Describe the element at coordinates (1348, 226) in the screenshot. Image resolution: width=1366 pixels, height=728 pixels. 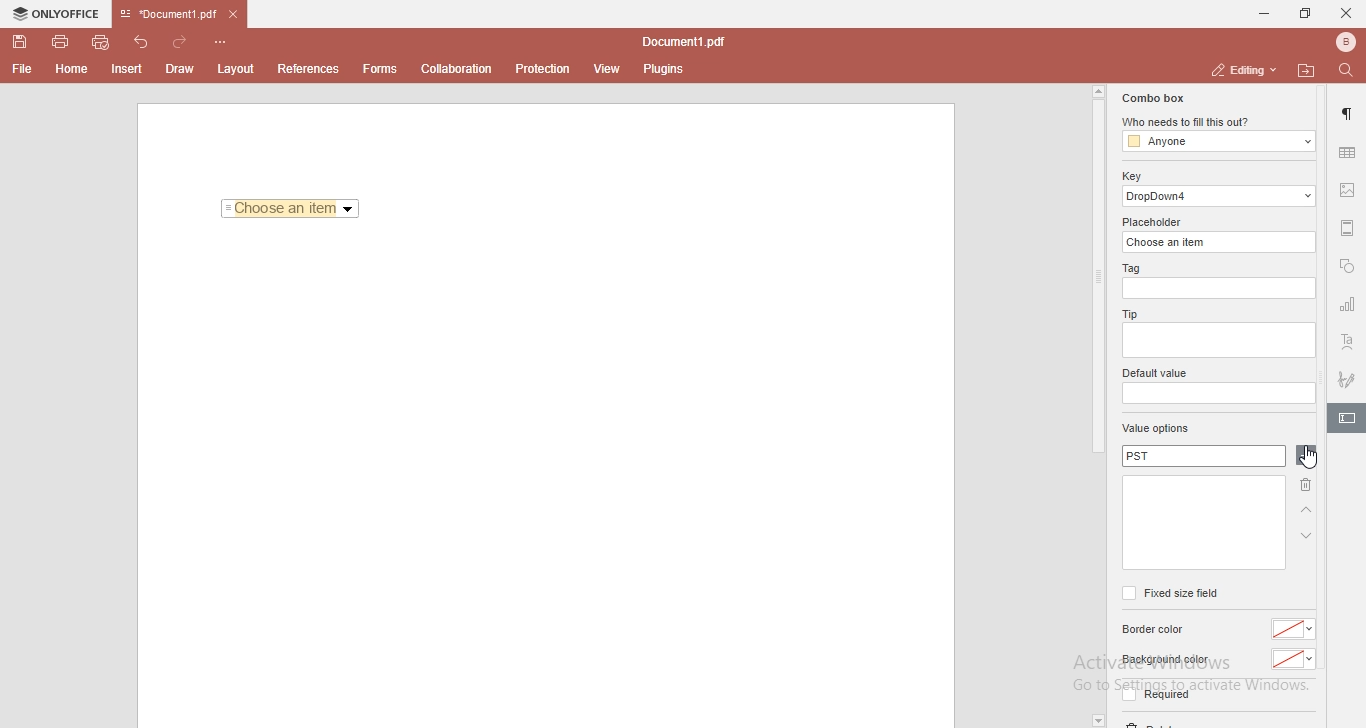
I see `margin` at that location.